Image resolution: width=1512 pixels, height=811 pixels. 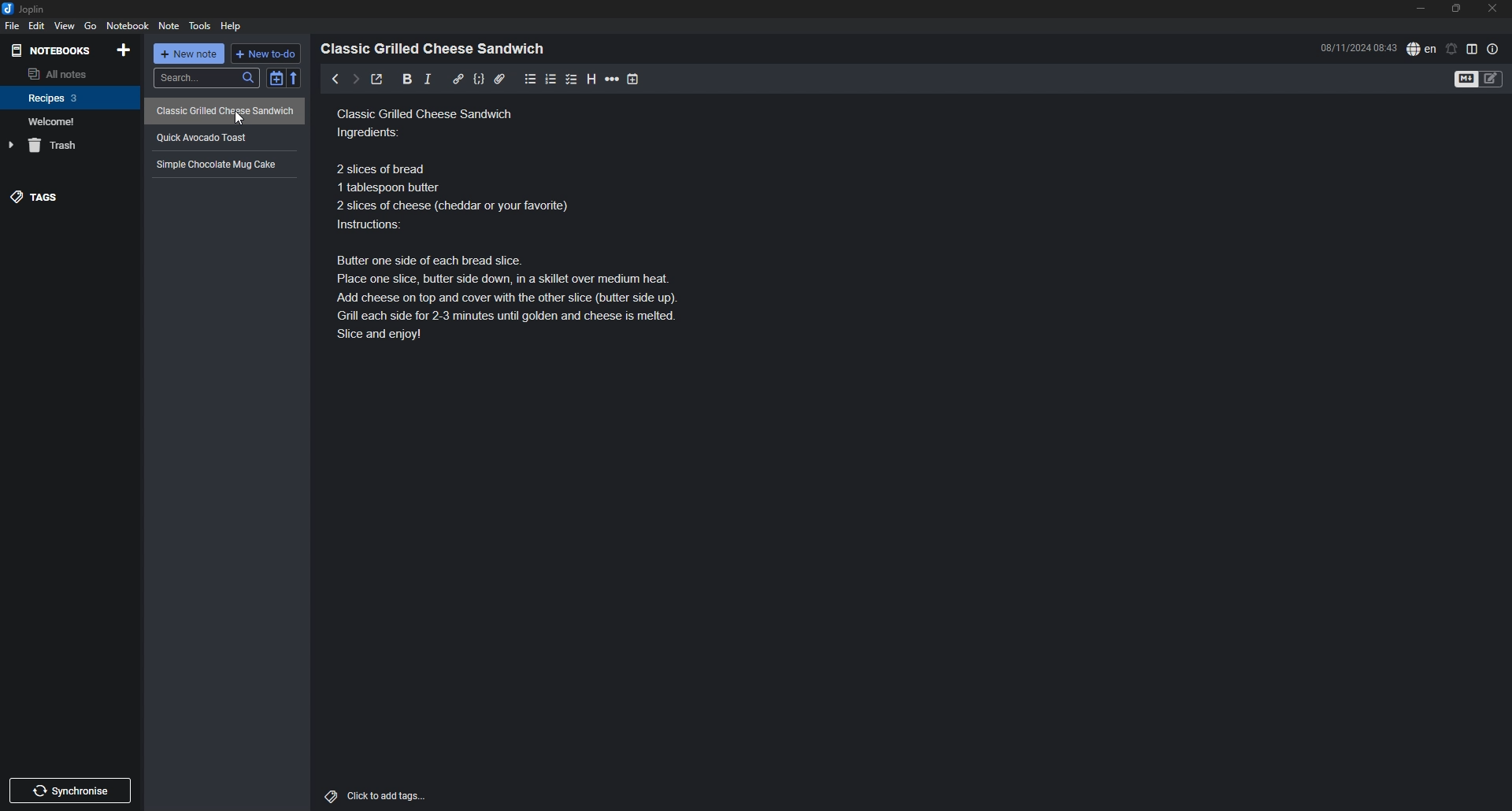 What do you see at coordinates (613, 79) in the screenshot?
I see `horizontal rule` at bounding box center [613, 79].